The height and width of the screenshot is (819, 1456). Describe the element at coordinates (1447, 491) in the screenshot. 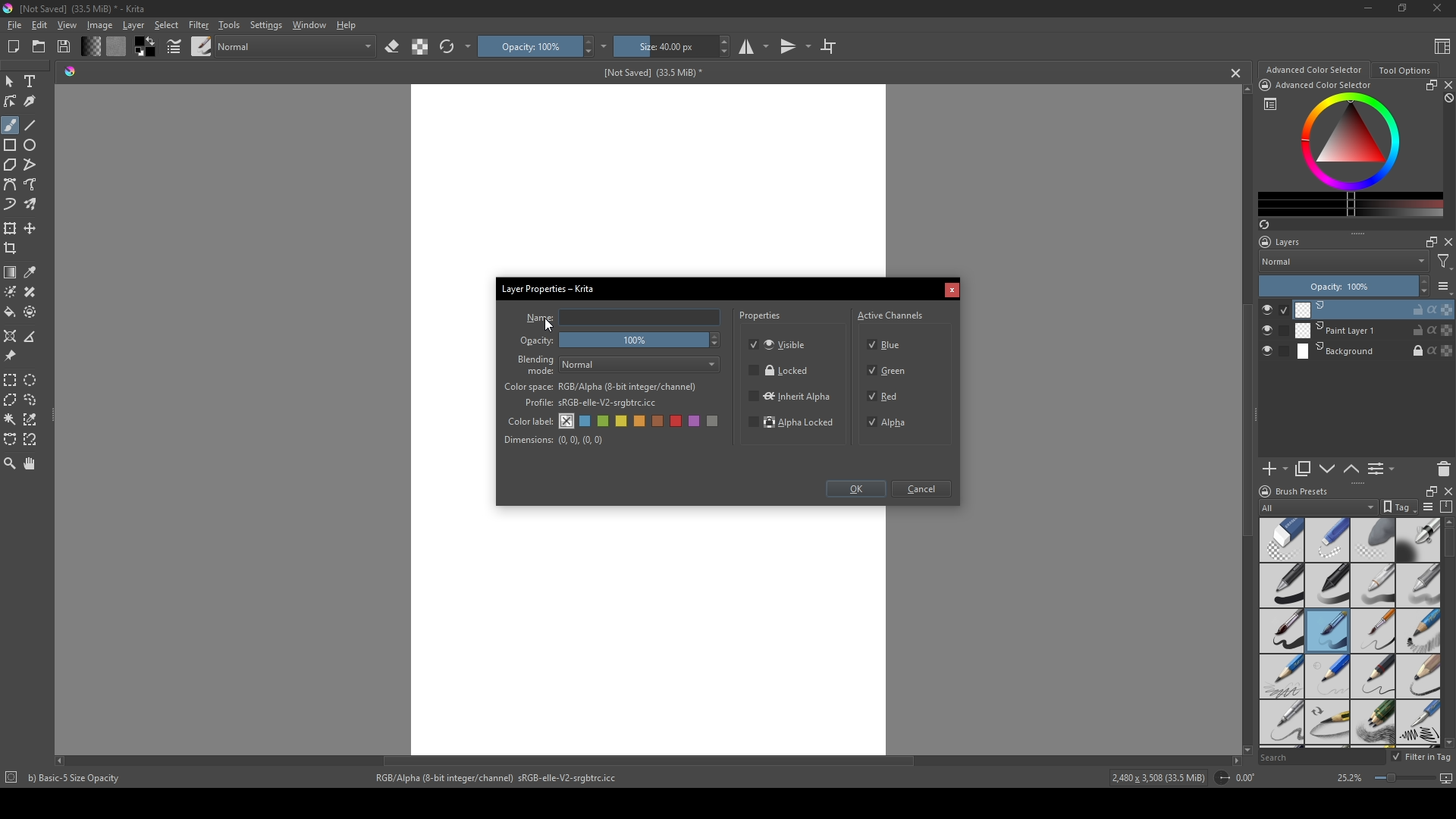

I see `close` at that location.